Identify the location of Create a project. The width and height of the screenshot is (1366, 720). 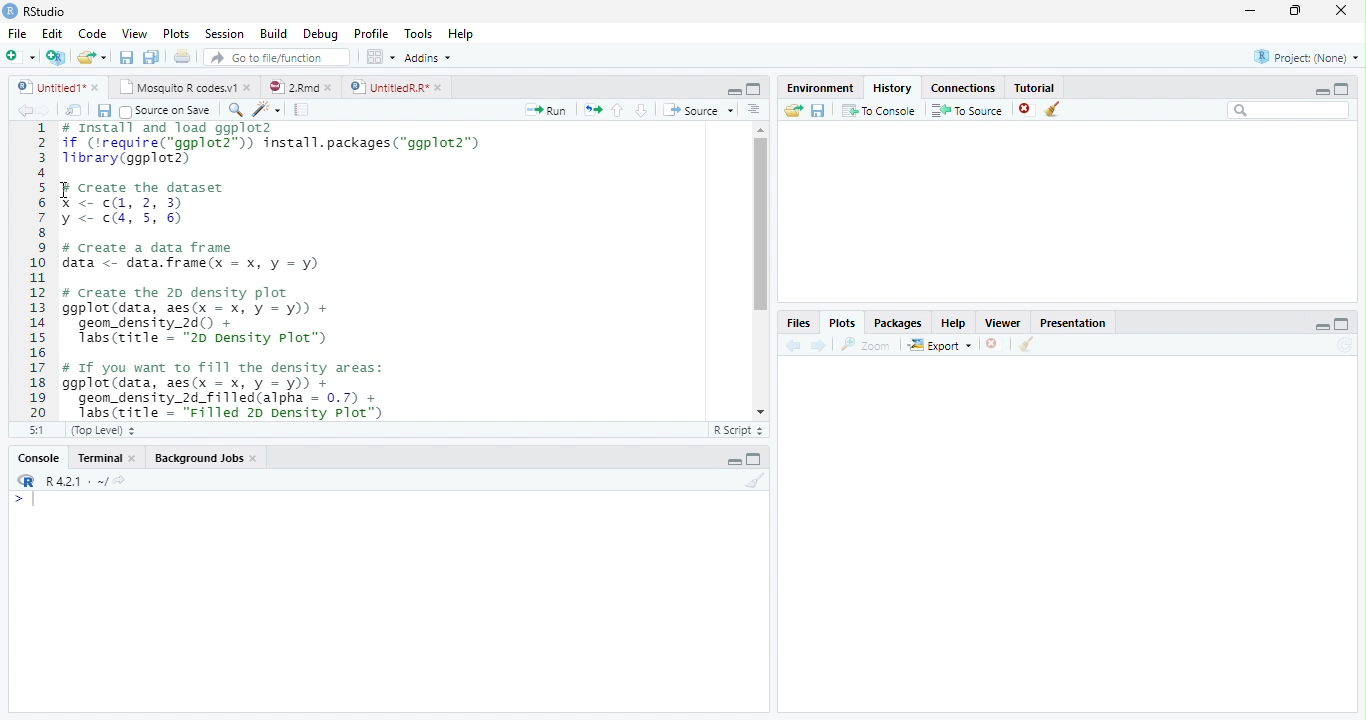
(55, 57).